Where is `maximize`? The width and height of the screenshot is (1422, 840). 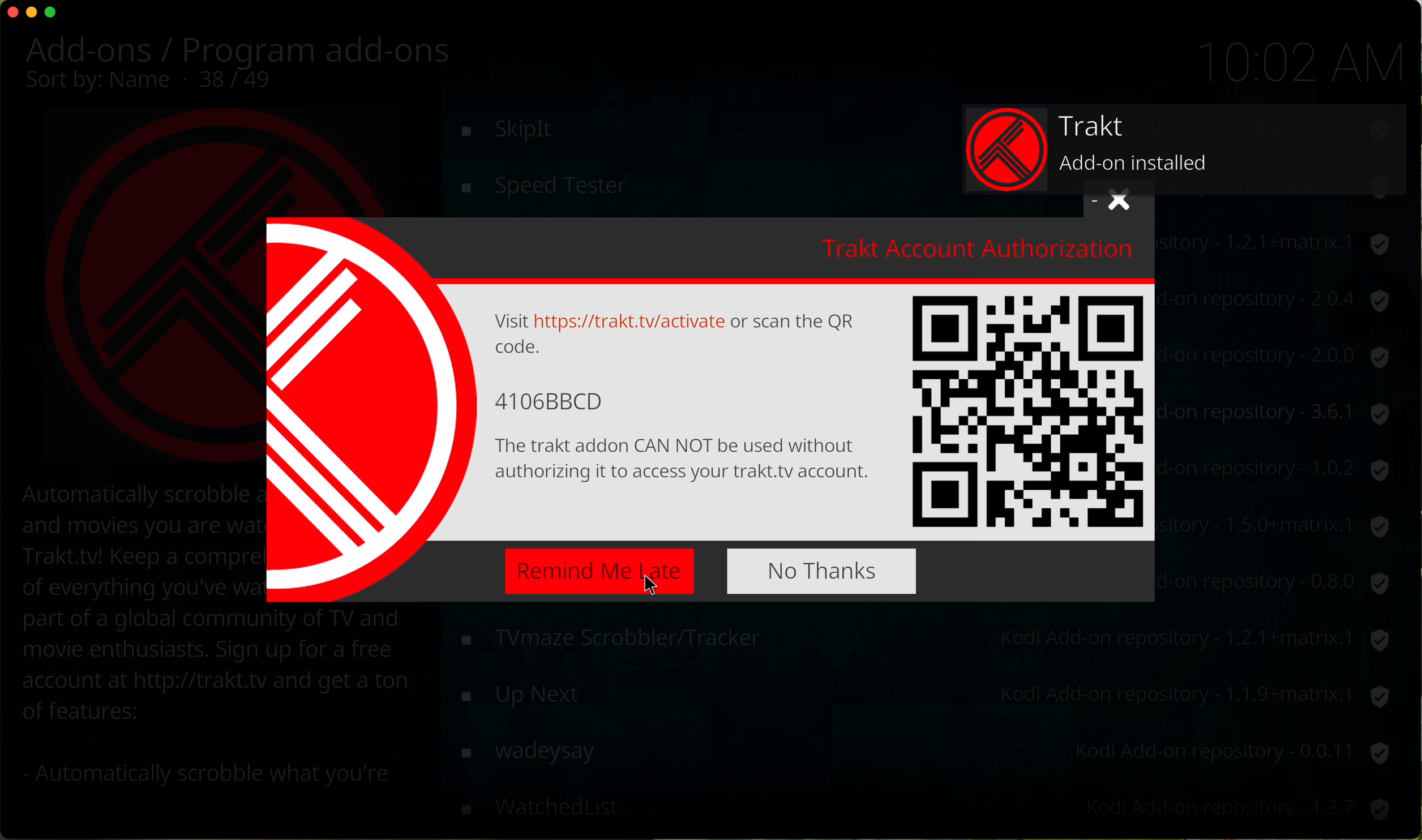 maximize is located at coordinates (52, 14).